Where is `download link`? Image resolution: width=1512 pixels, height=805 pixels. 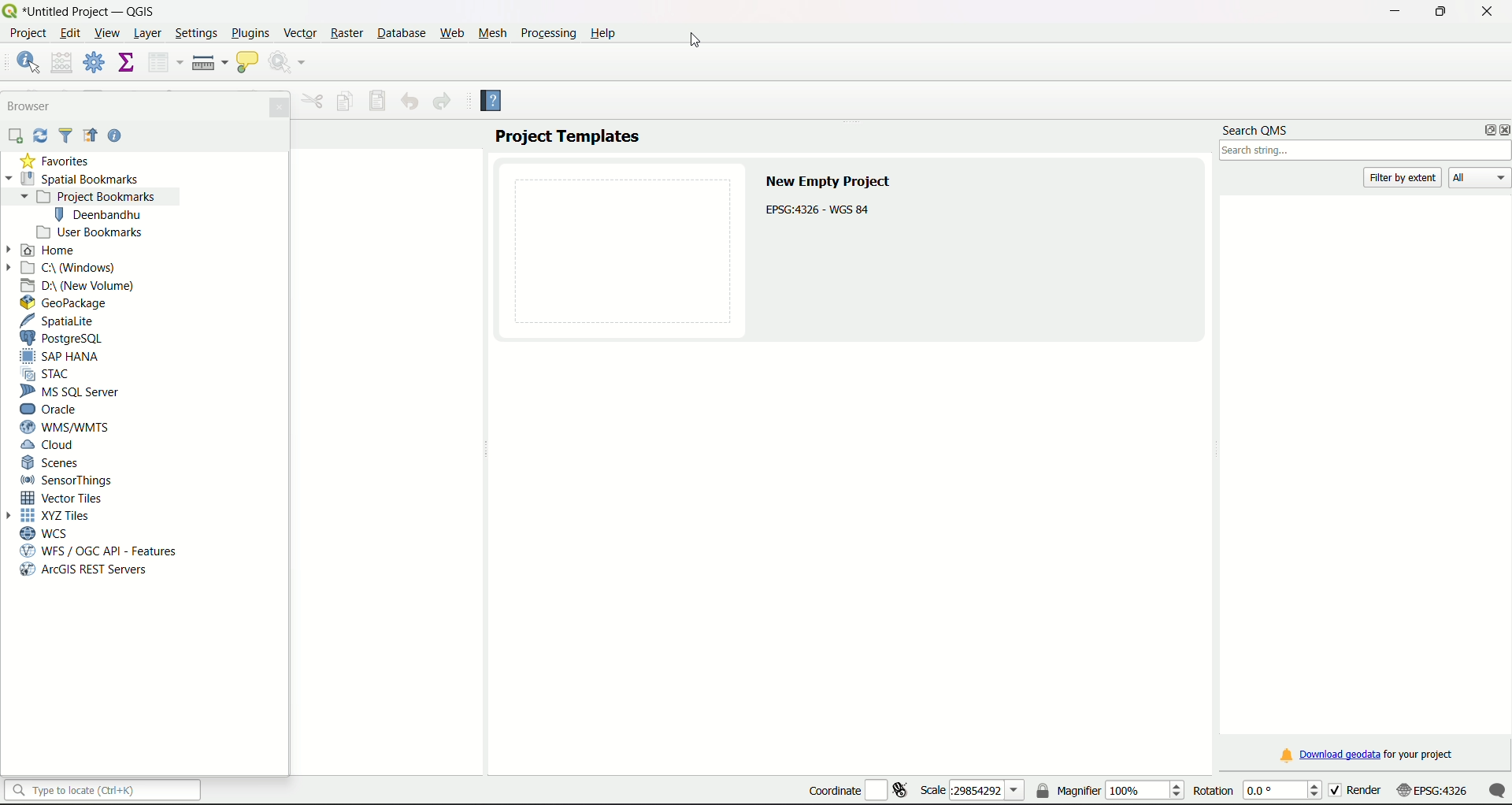
download link is located at coordinates (1366, 755).